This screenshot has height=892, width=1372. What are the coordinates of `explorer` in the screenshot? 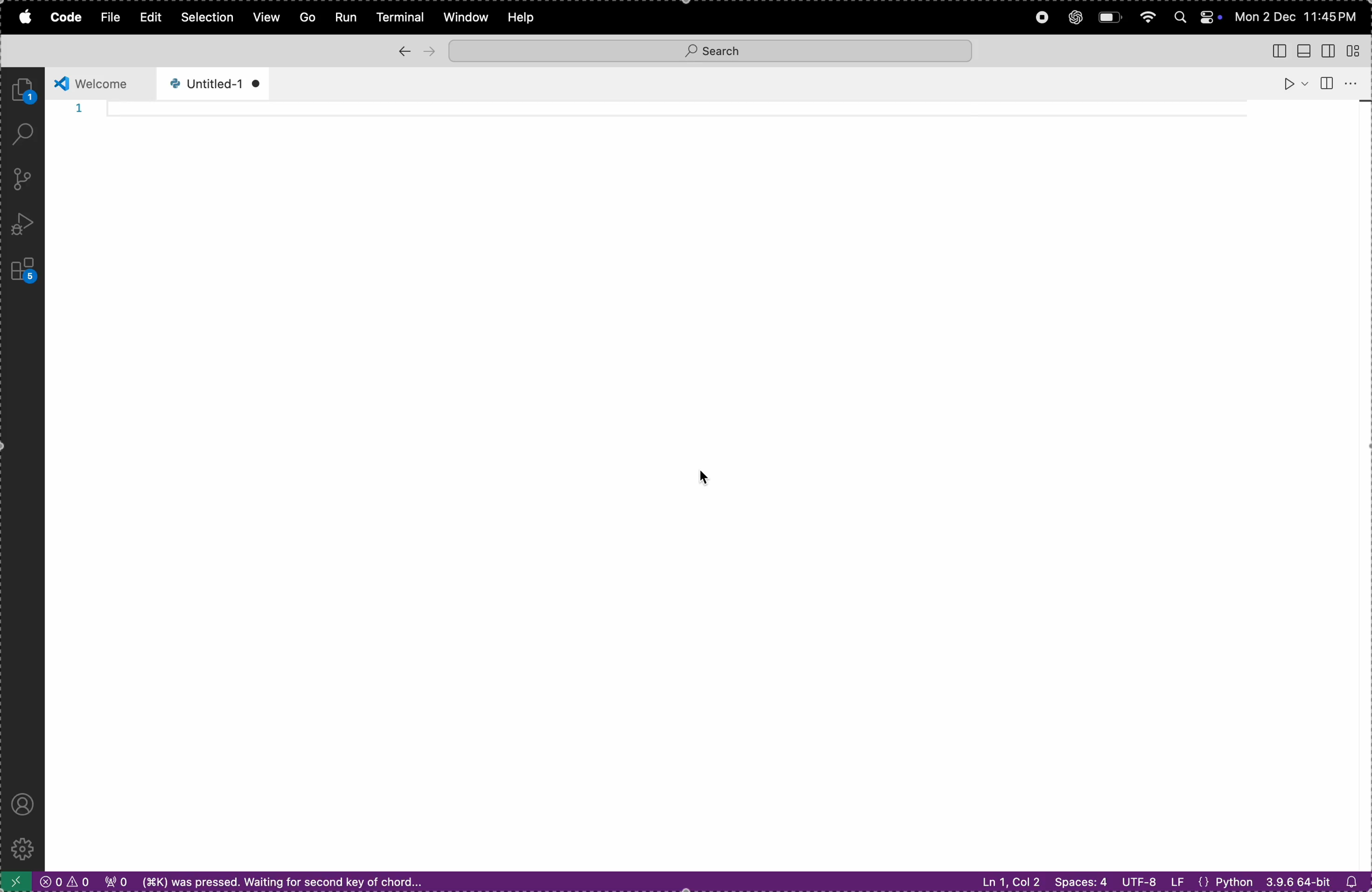 It's located at (25, 89).